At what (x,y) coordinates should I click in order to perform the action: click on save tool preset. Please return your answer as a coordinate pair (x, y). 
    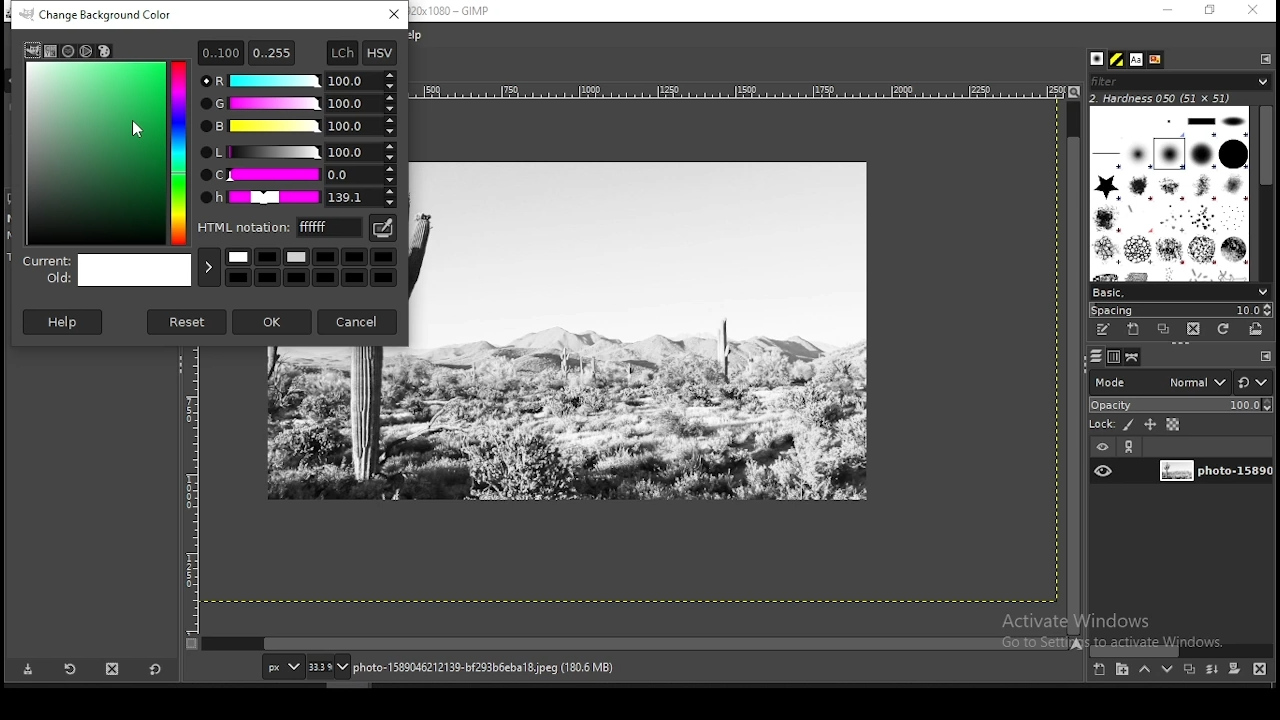
    Looking at the image, I should click on (26, 670).